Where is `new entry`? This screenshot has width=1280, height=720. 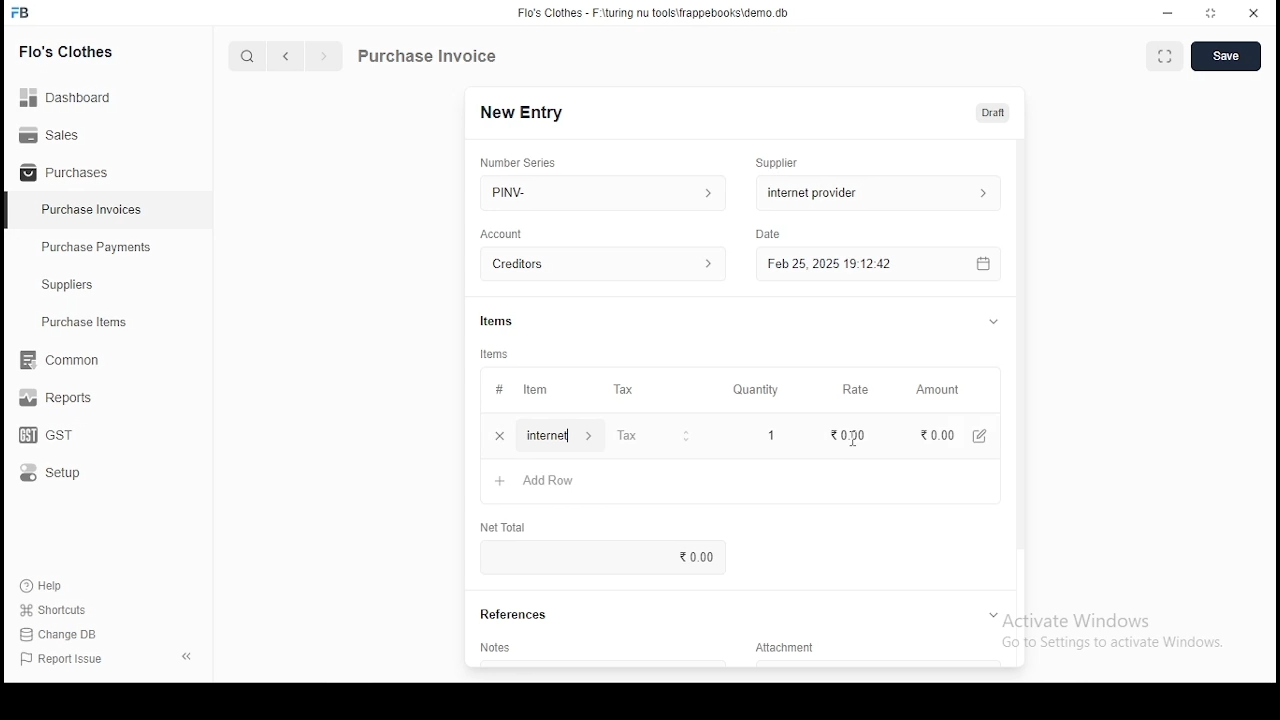
new entry is located at coordinates (520, 112).